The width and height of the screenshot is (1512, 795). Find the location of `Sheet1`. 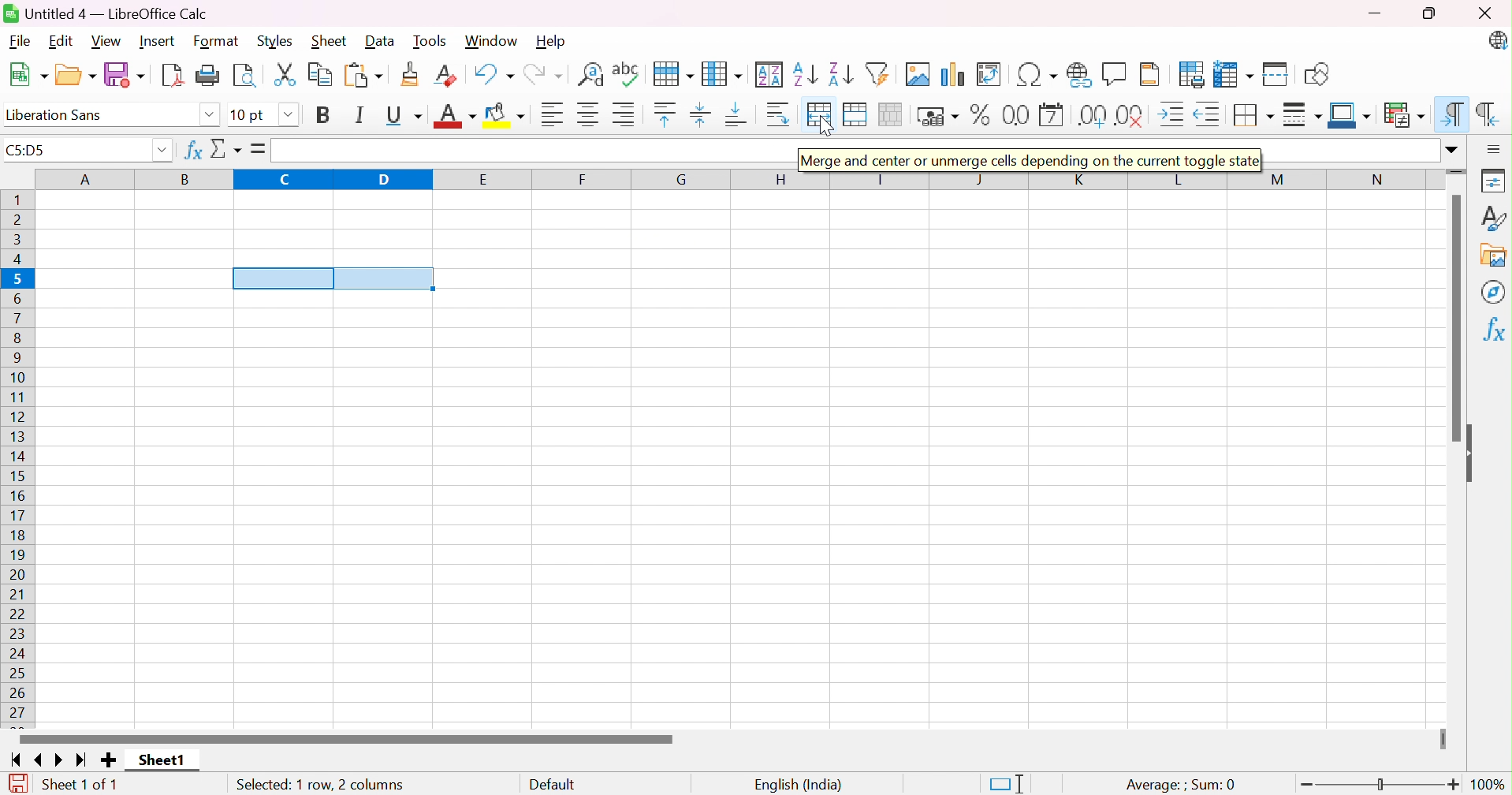

Sheet1 is located at coordinates (160, 761).